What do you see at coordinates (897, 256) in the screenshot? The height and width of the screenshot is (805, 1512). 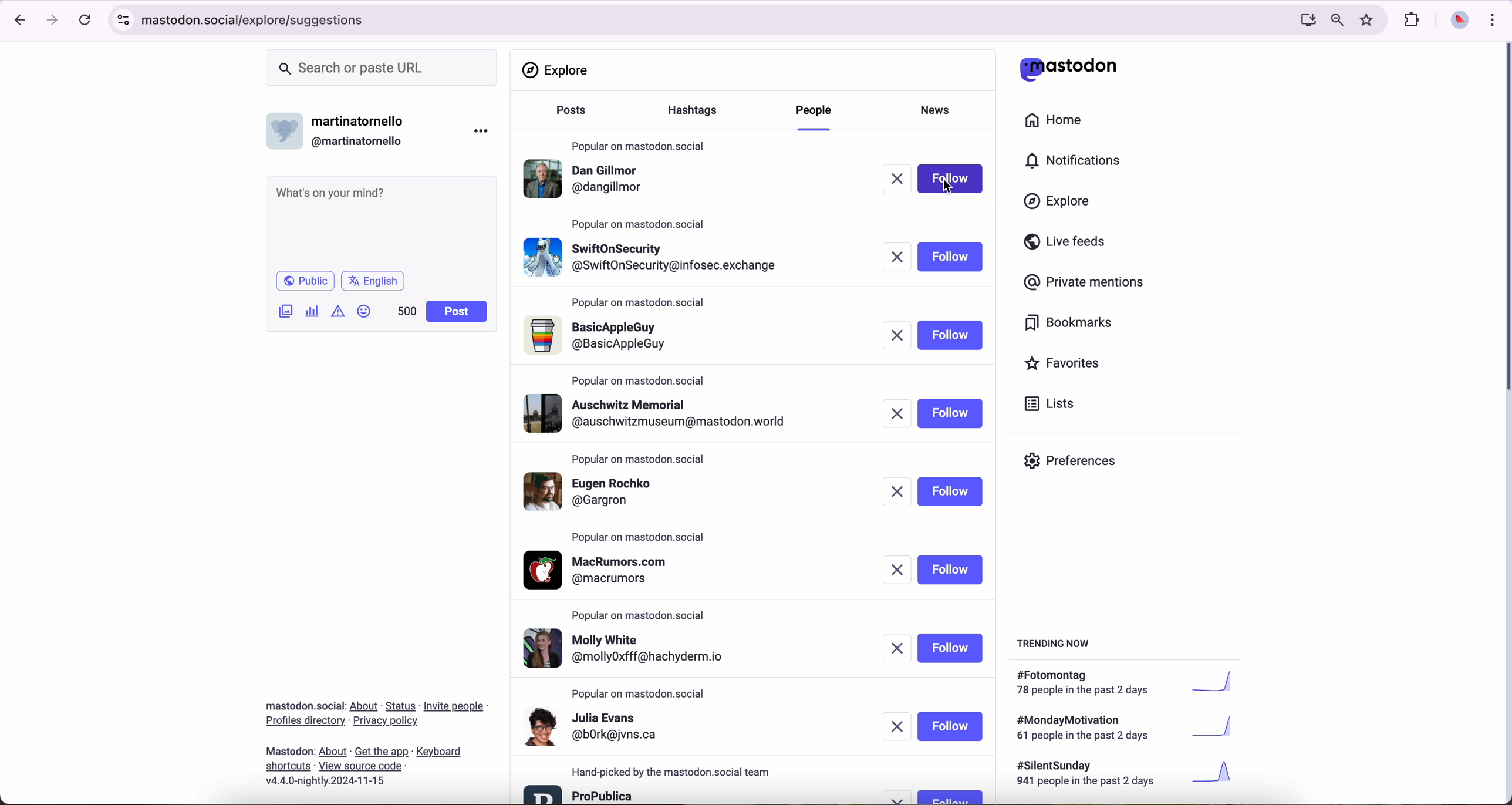 I see `remove` at bounding box center [897, 256].